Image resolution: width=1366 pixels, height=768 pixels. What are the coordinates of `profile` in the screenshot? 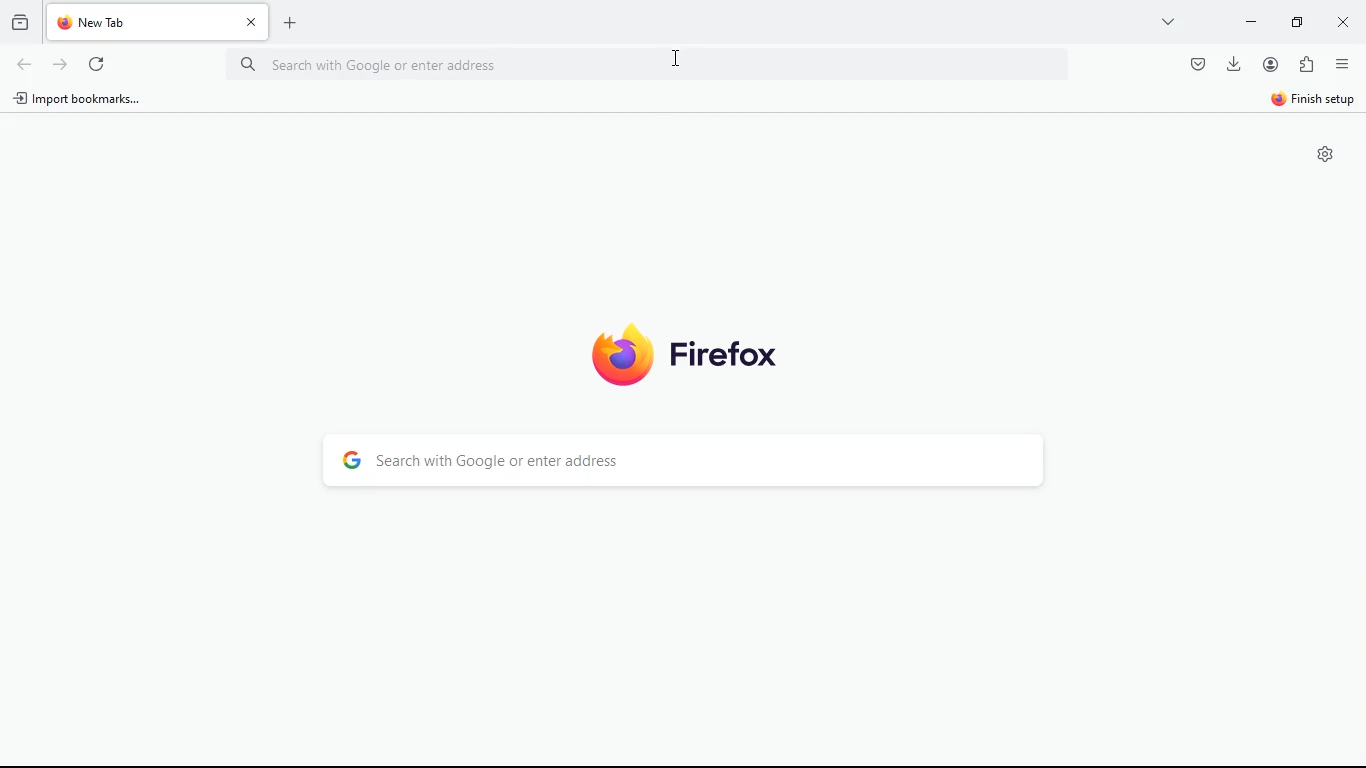 It's located at (1270, 65).